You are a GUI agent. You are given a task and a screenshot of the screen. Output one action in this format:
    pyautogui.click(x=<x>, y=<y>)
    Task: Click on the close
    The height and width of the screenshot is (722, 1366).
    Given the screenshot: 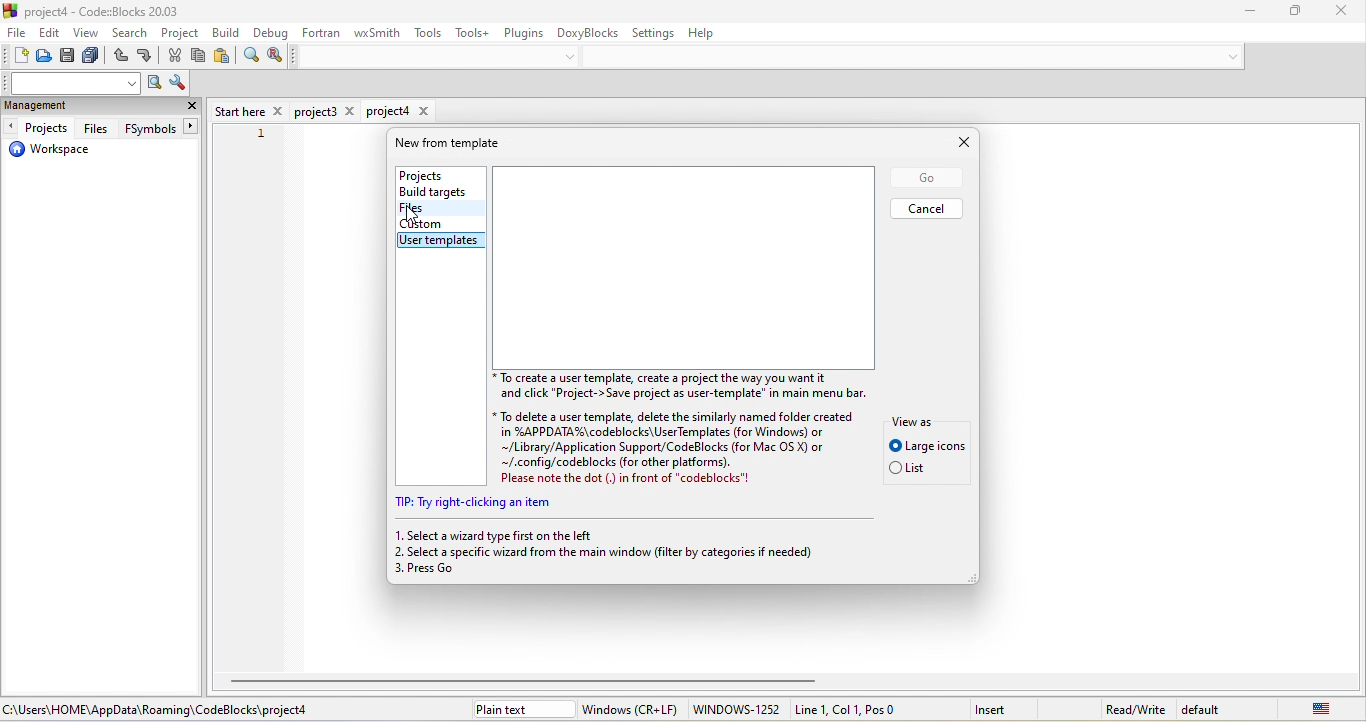 What is the action you would take?
    pyautogui.click(x=952, y=143)
    